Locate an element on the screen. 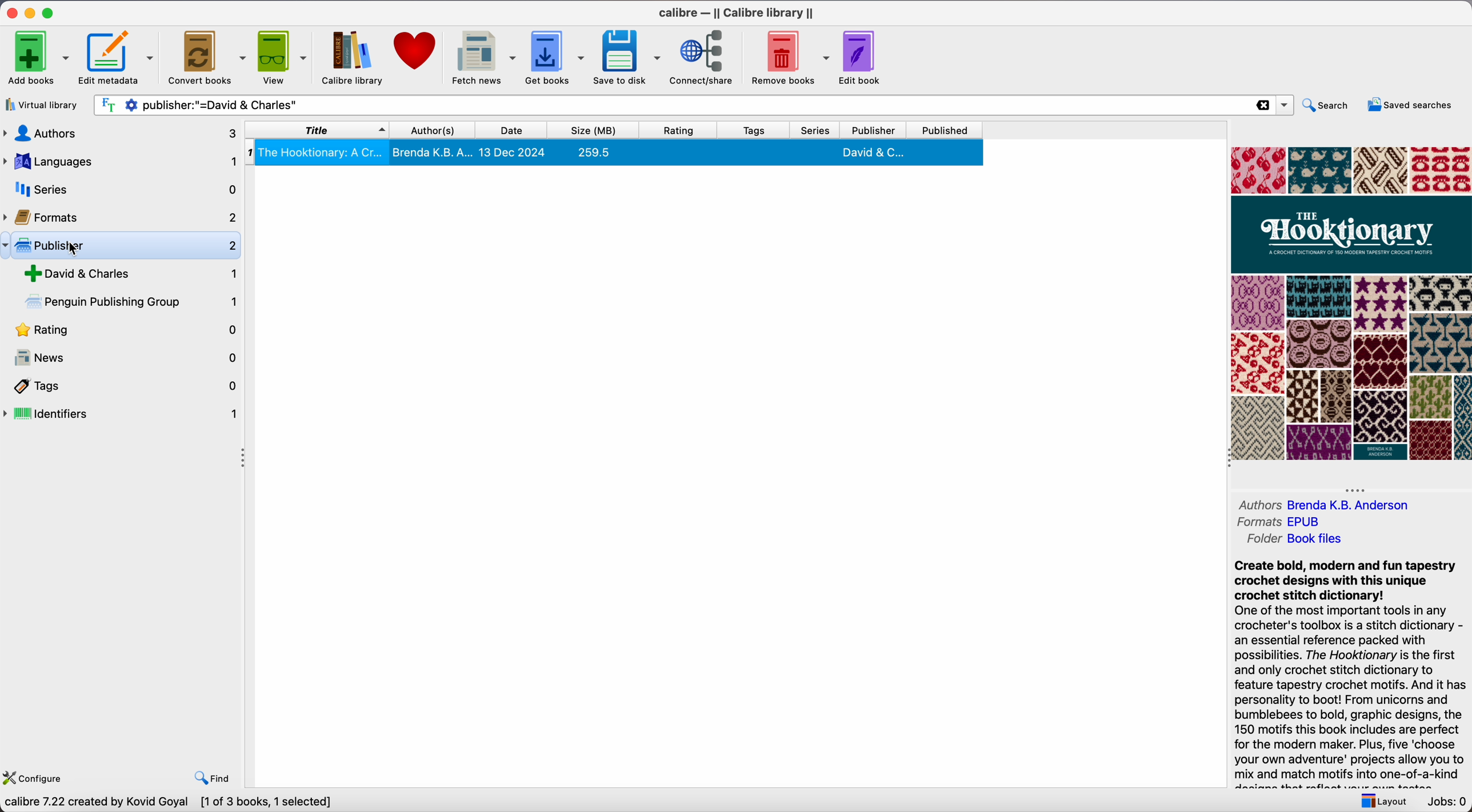  donate is located at coordinates (416, 52).